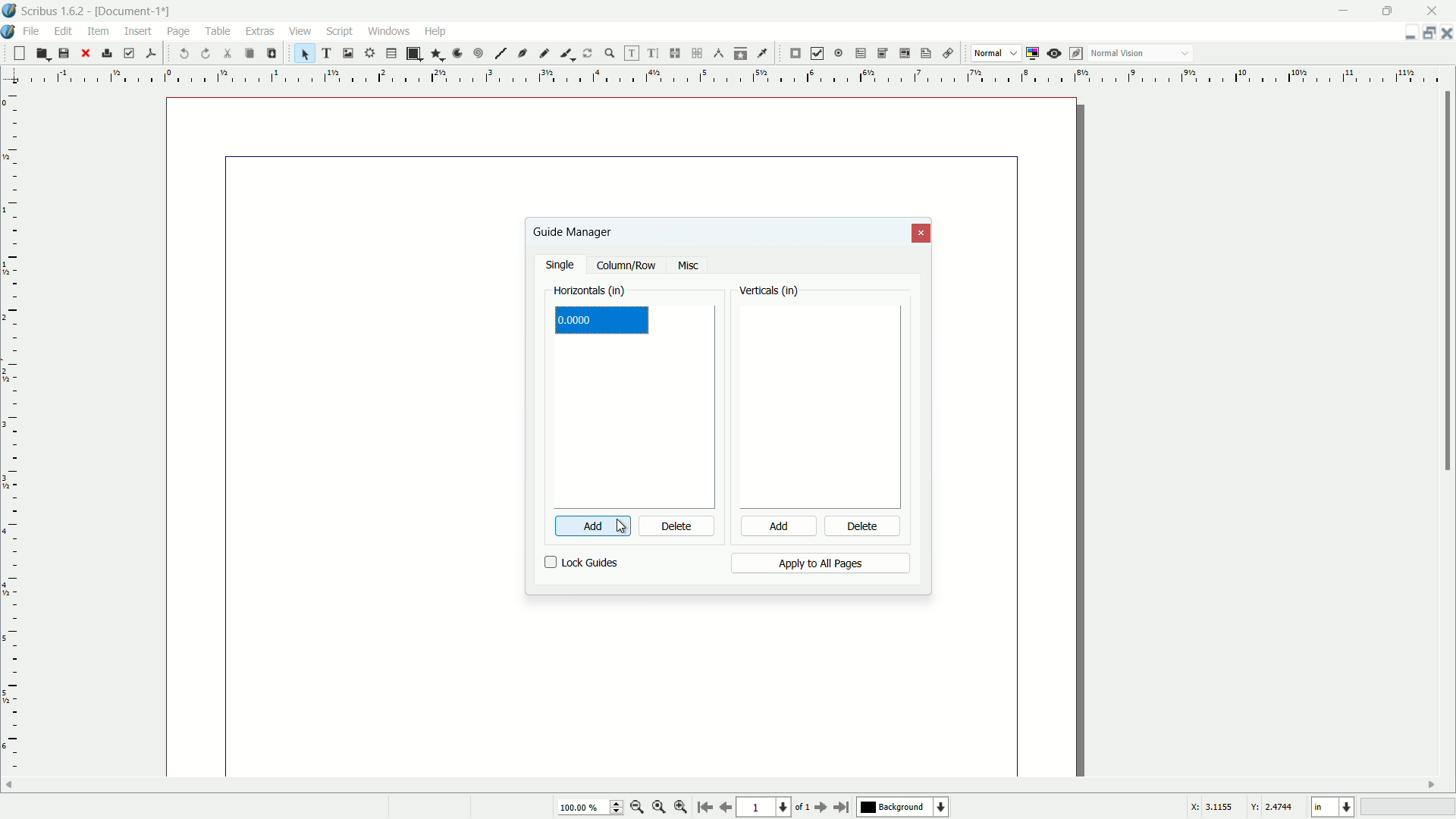 The width and height of the screenshot is (1456, 819). Describe the element at coordinates (777, 527) in the screenshot. I see `add` at that location.